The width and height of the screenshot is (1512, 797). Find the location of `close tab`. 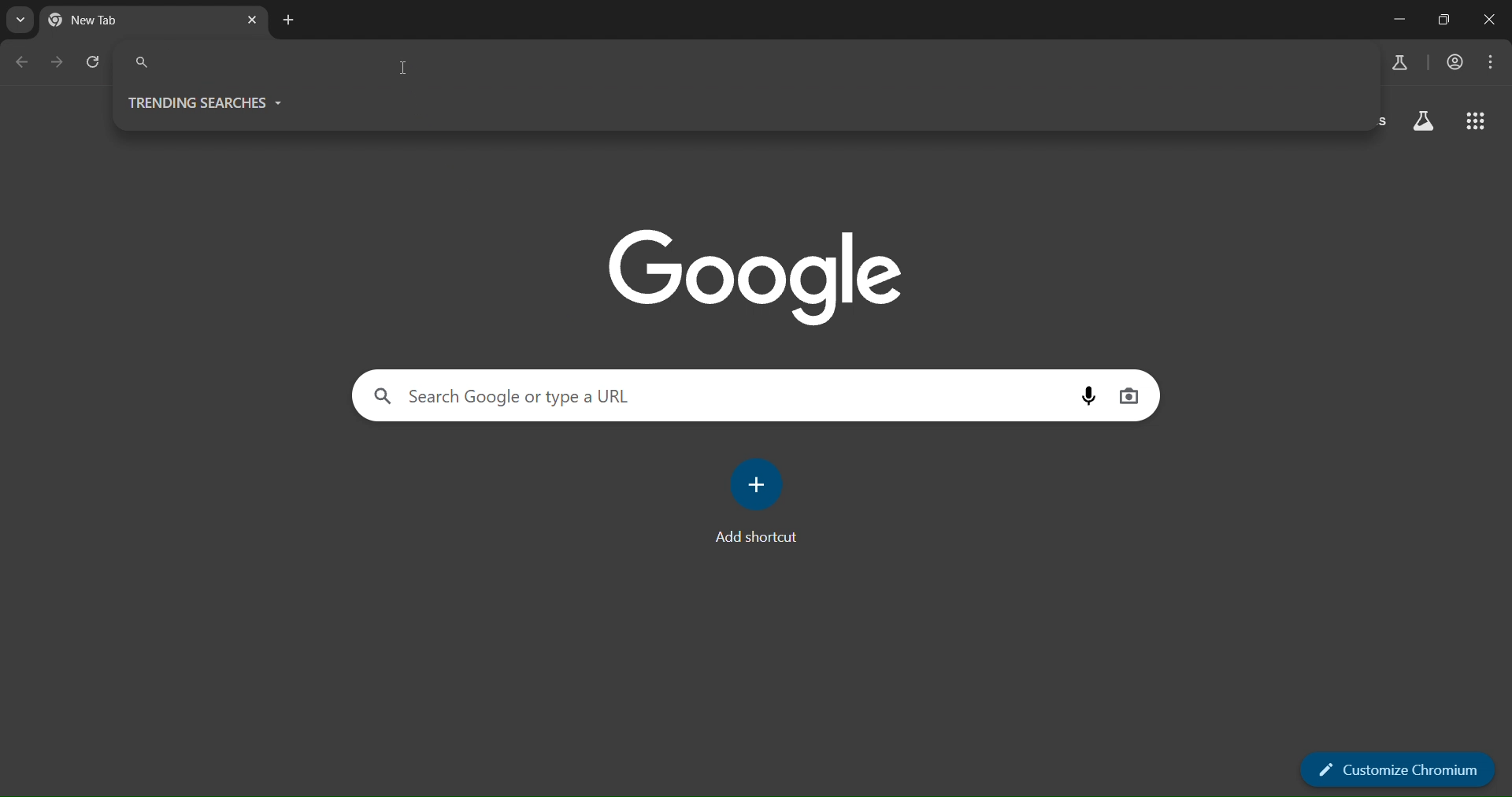

close tab is located at coordinates (251, 20).